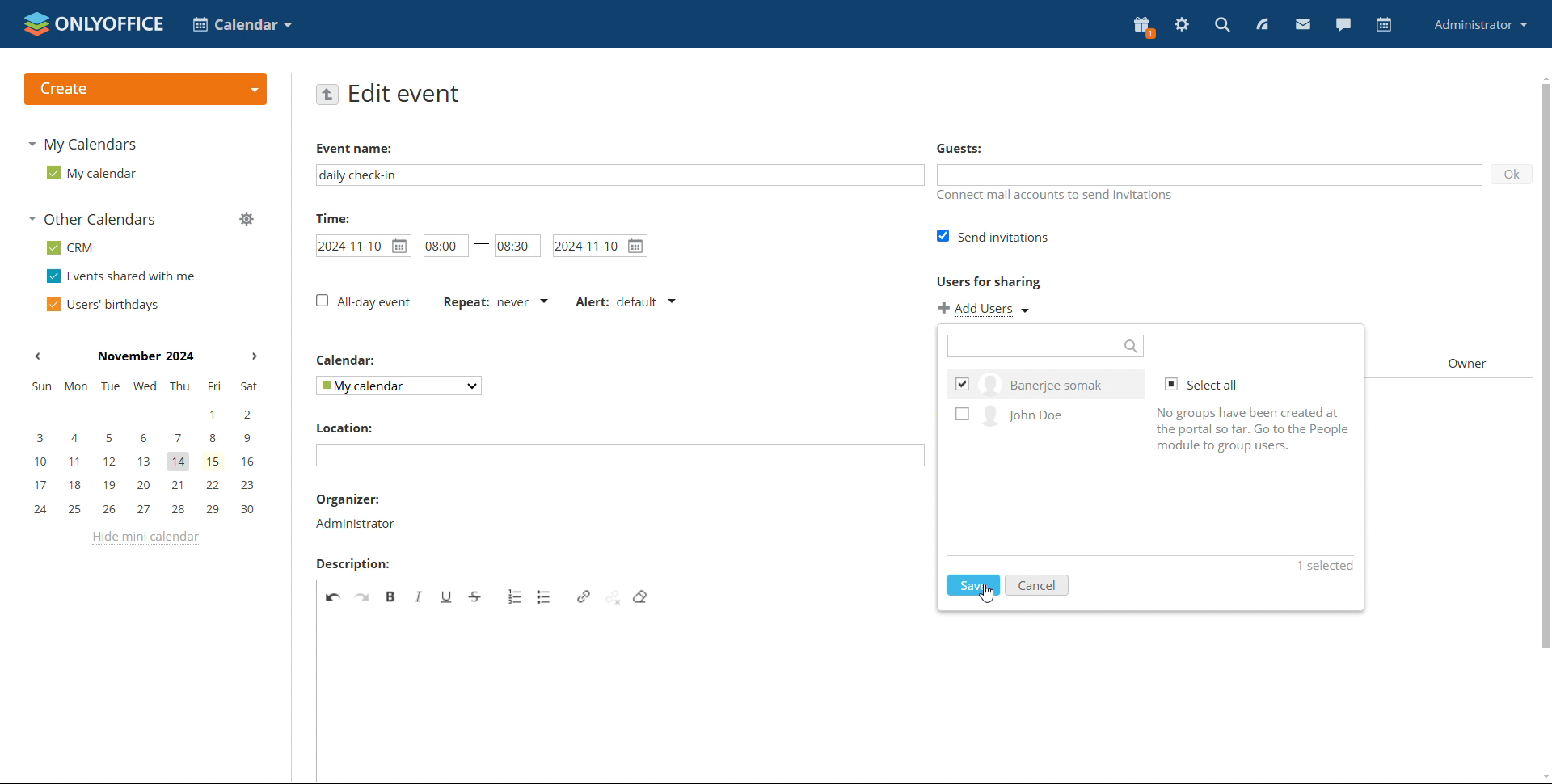 This screenshot has width=1552, height=784. Describe the element at coordinates (252, 357) in the screenshot. I see `next month` at that location.